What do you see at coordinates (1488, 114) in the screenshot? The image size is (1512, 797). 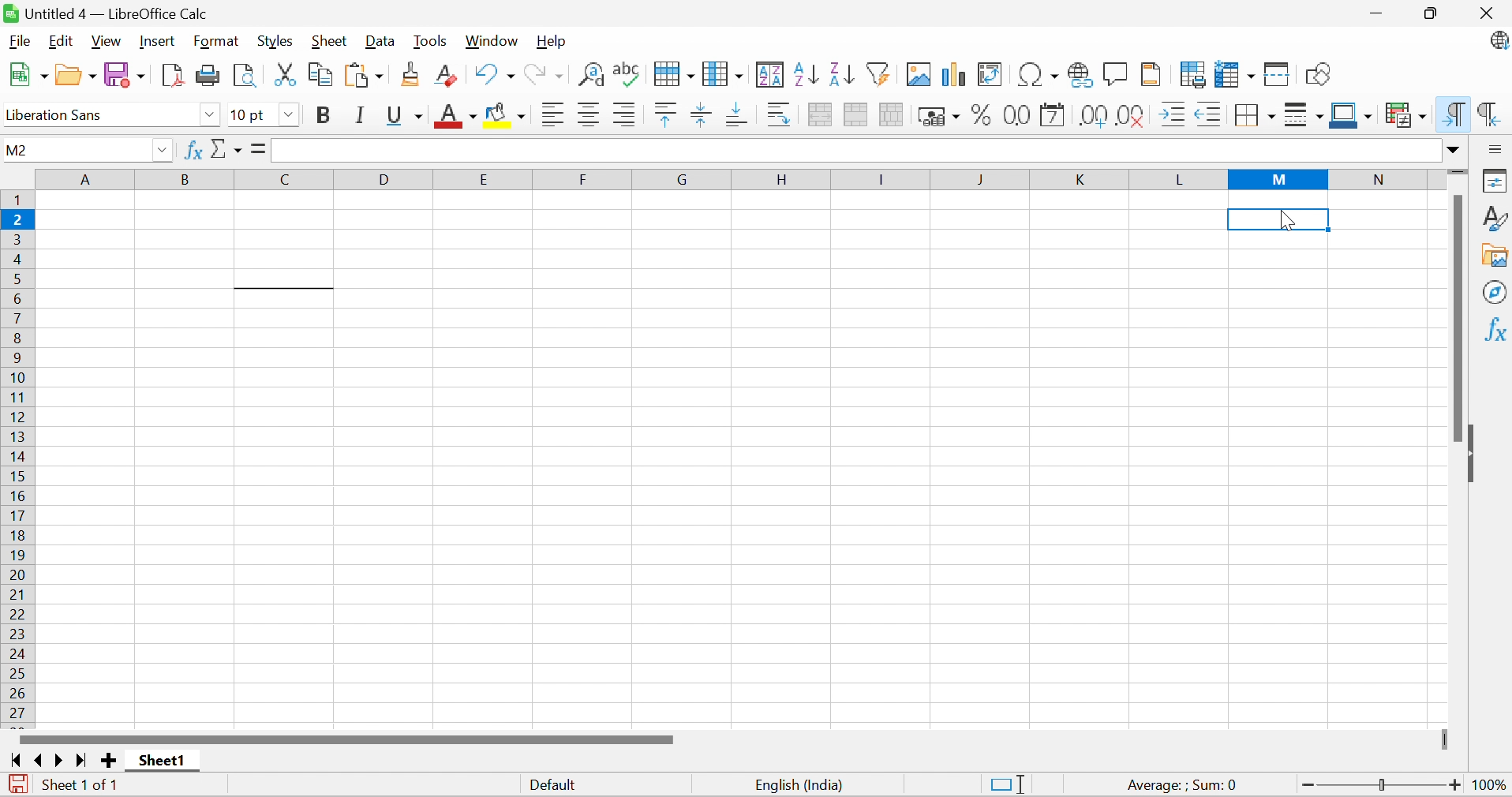 I see `Right-to-left` at bounding box center [1488, 114].